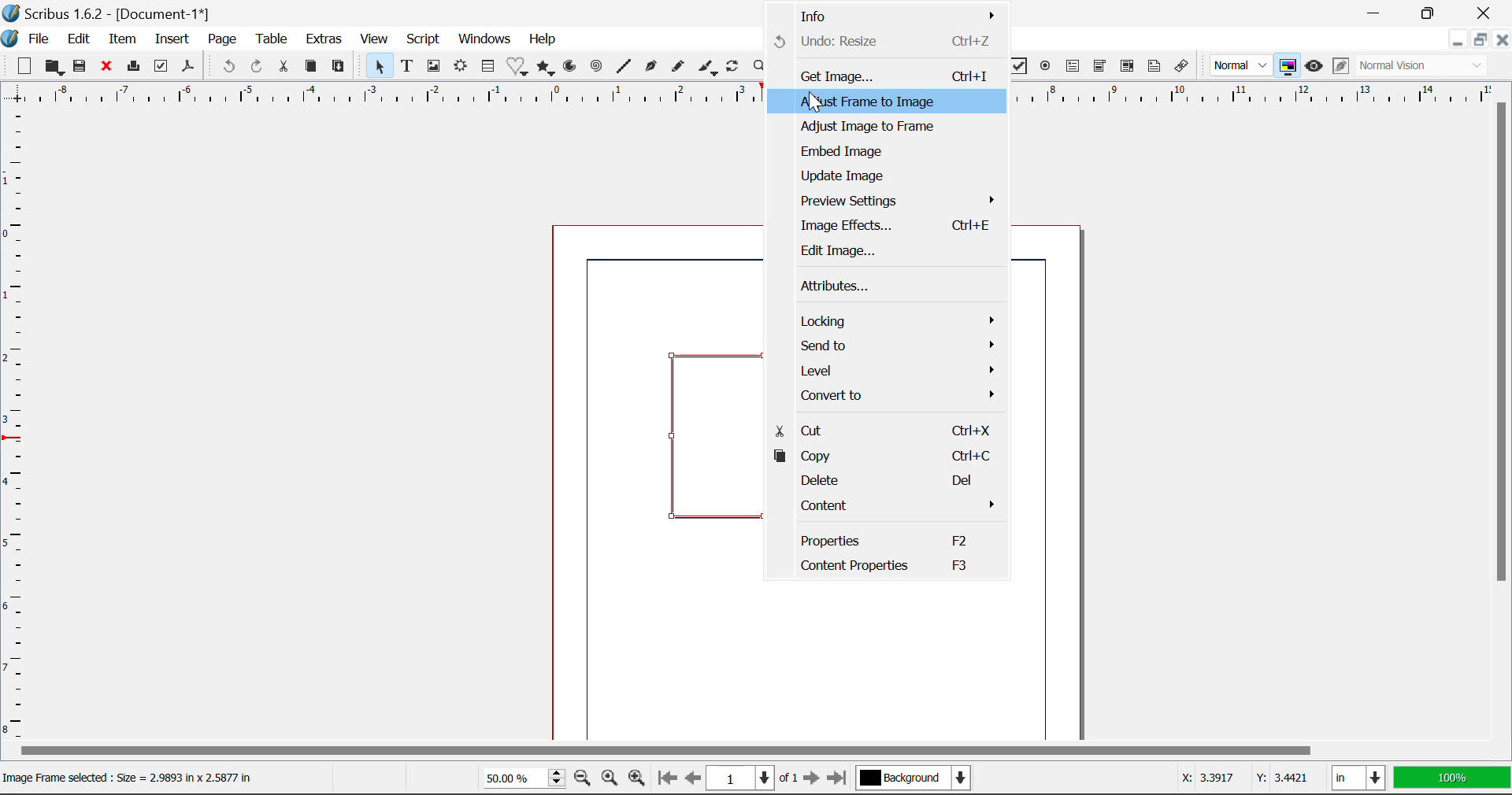 The width and height of the screenshot is (1512, 795). What do you see at coordinates (880, 102) in the screenshot?
I see `Adjust Frame to Image` at bounding box center [880, 102].